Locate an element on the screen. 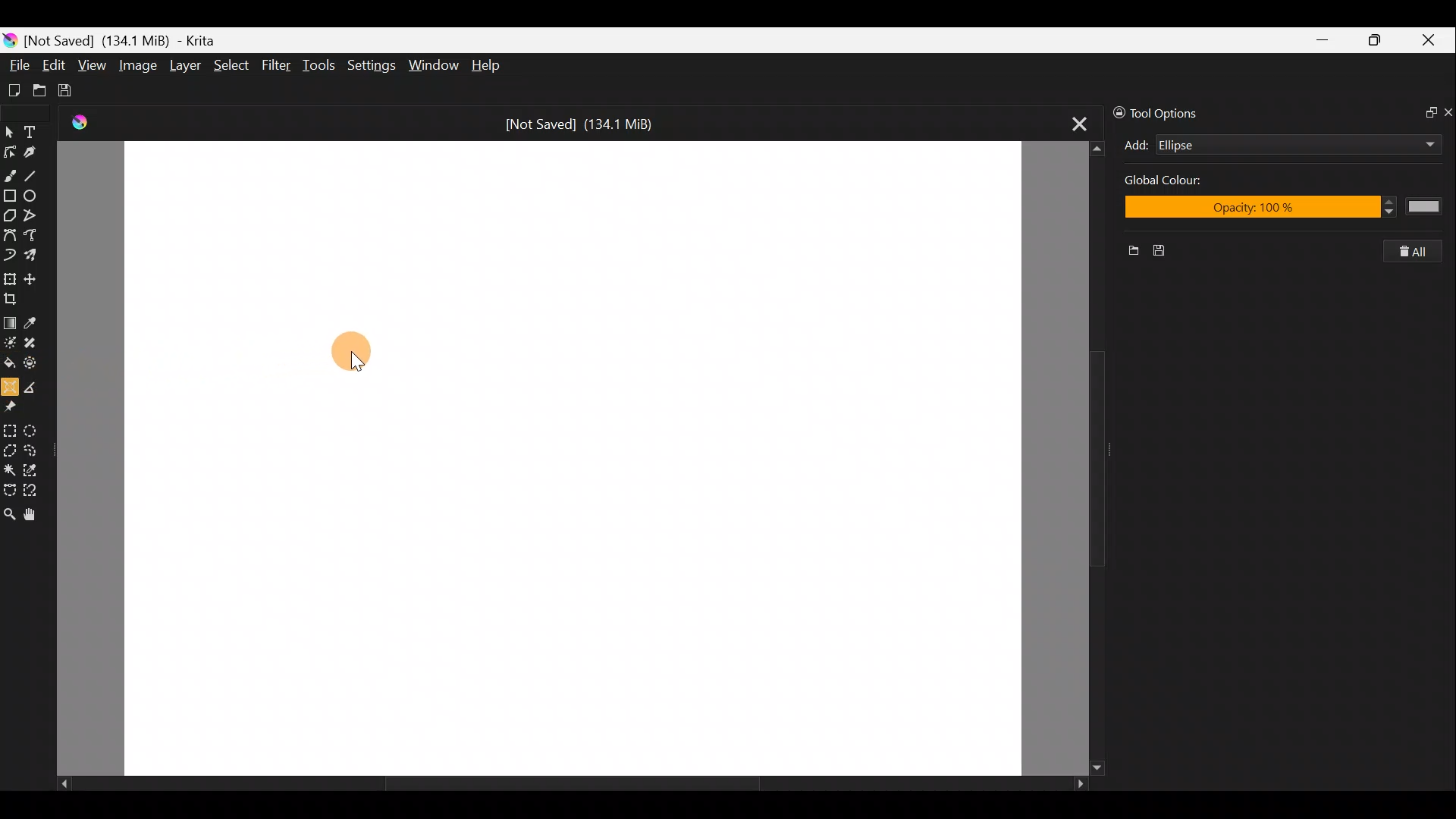 The height and width of the screenshot is (819, 1456). Ellipse is located at coordinates (36, 196).